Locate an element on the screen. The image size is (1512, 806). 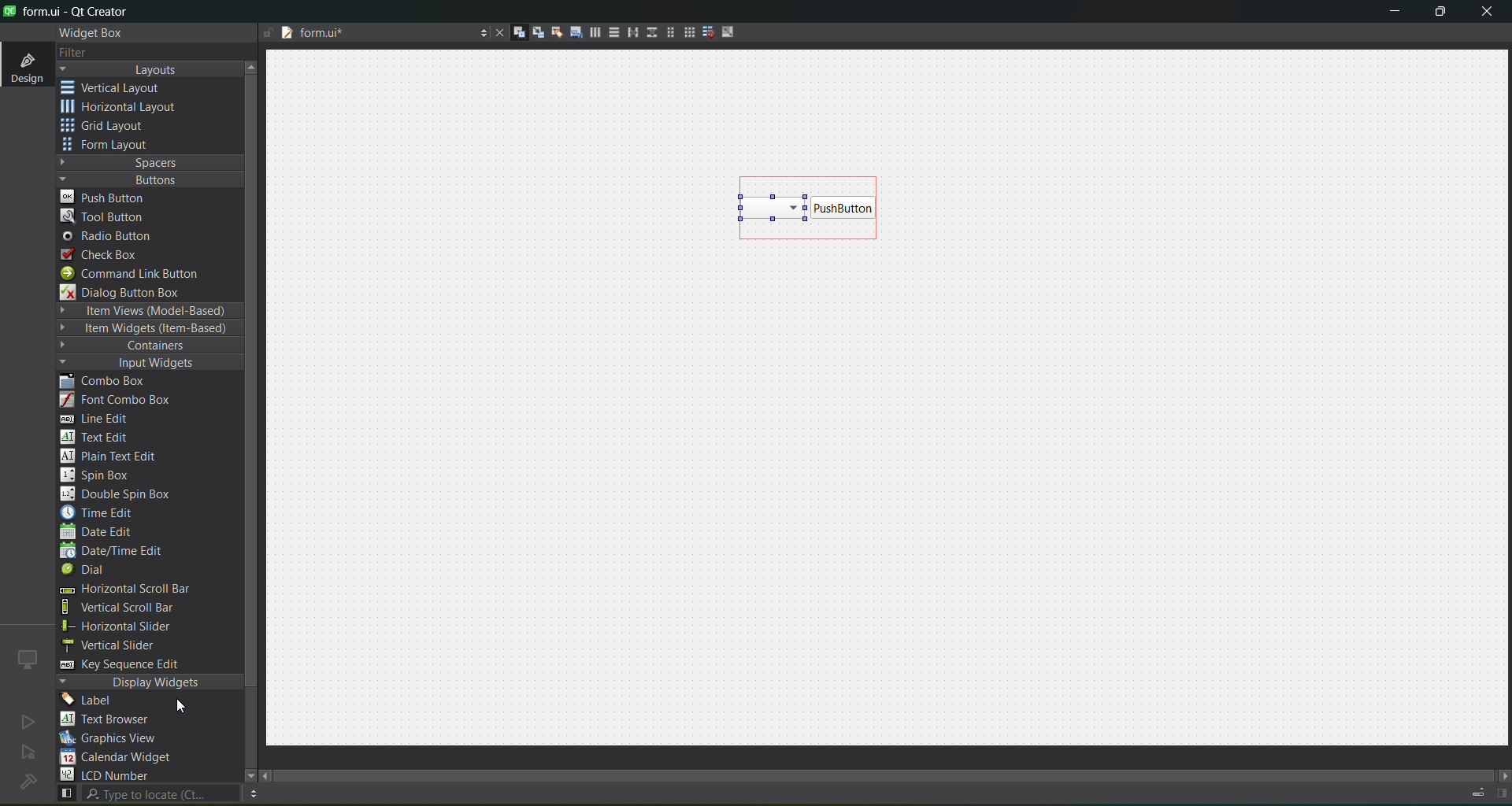
no active project is located at coordinates (28, 753).